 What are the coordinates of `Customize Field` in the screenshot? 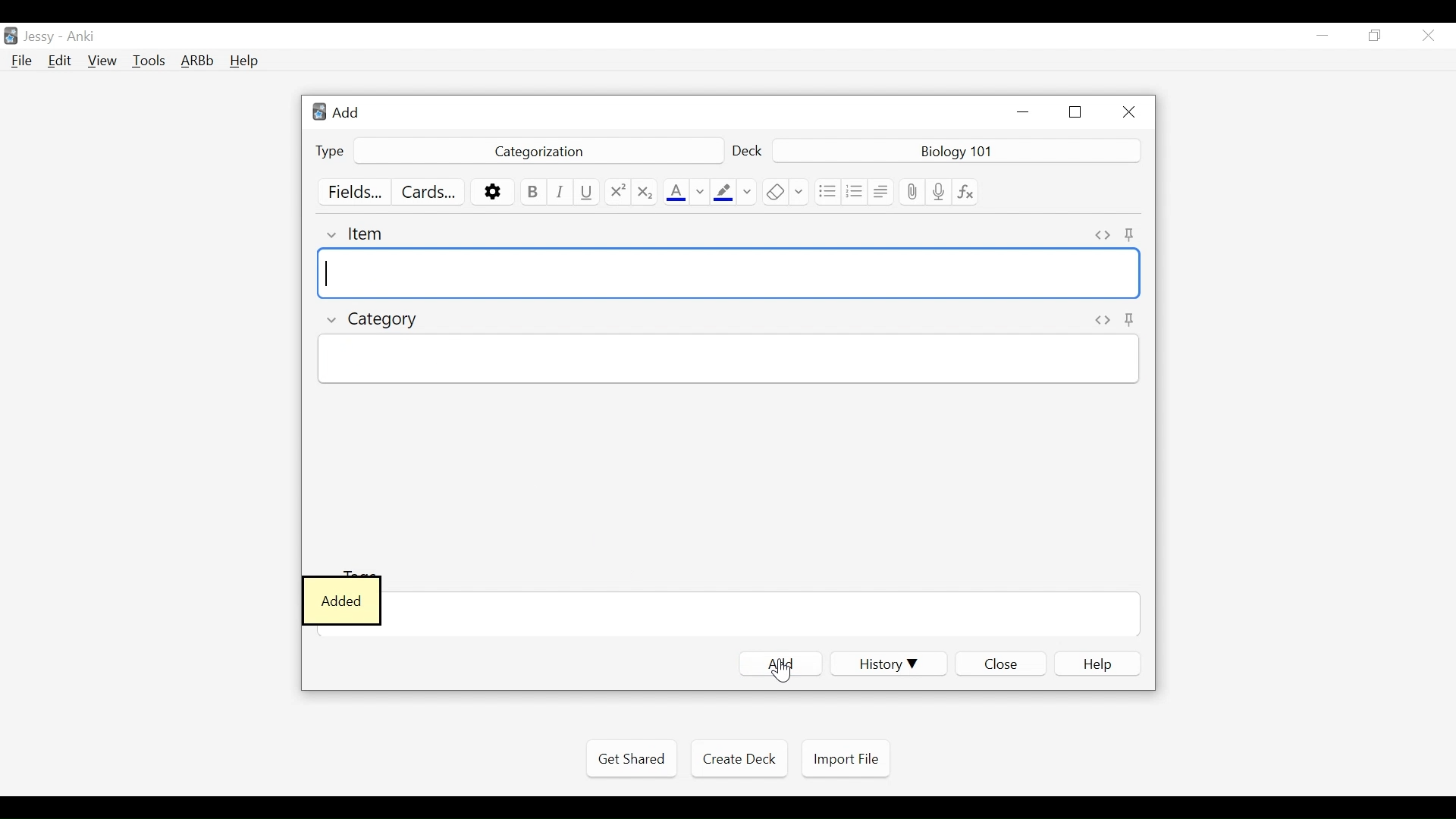 It's located at (354, 191).